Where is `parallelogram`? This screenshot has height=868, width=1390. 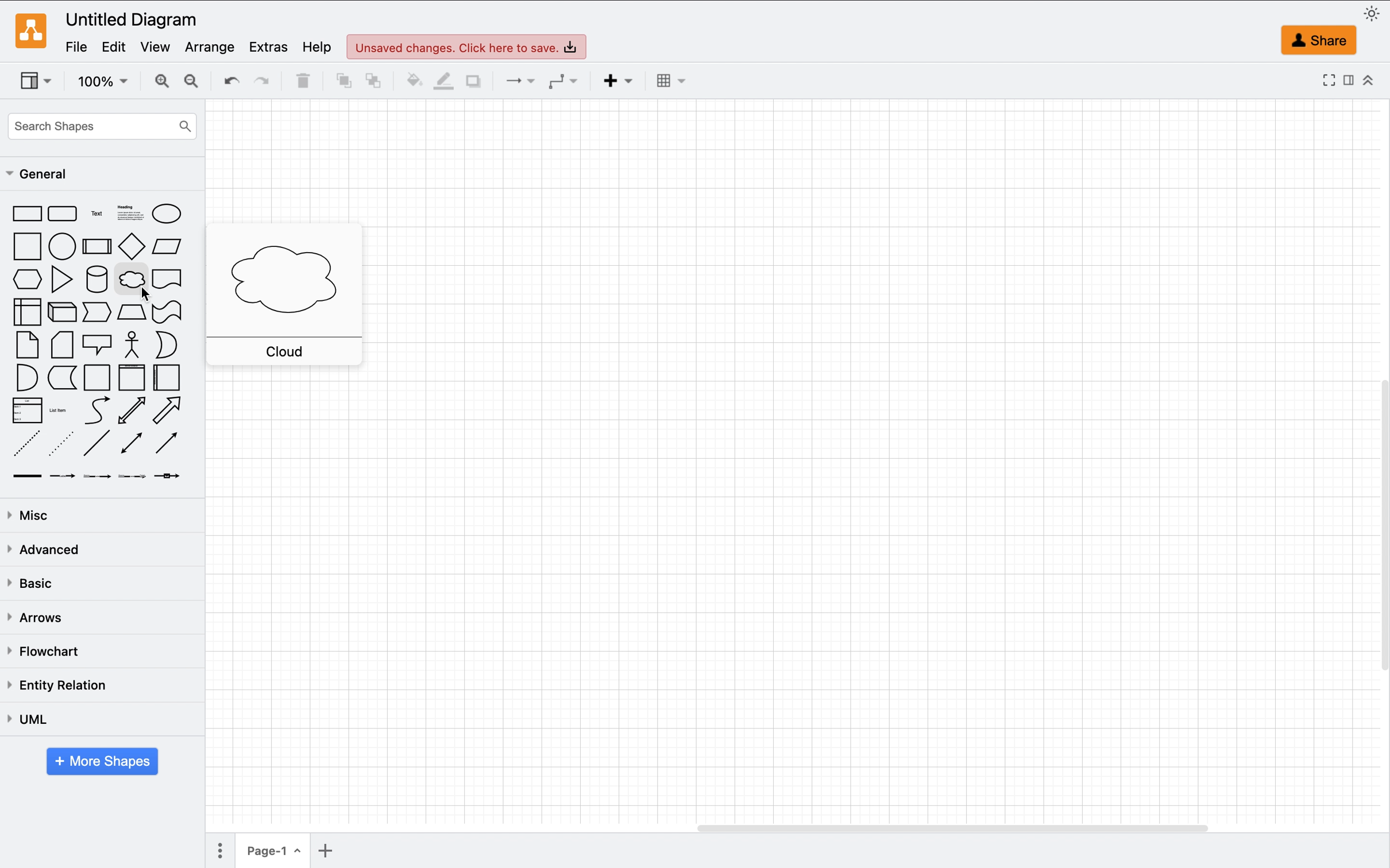
parallelogram is located at coordinates (171, 245).